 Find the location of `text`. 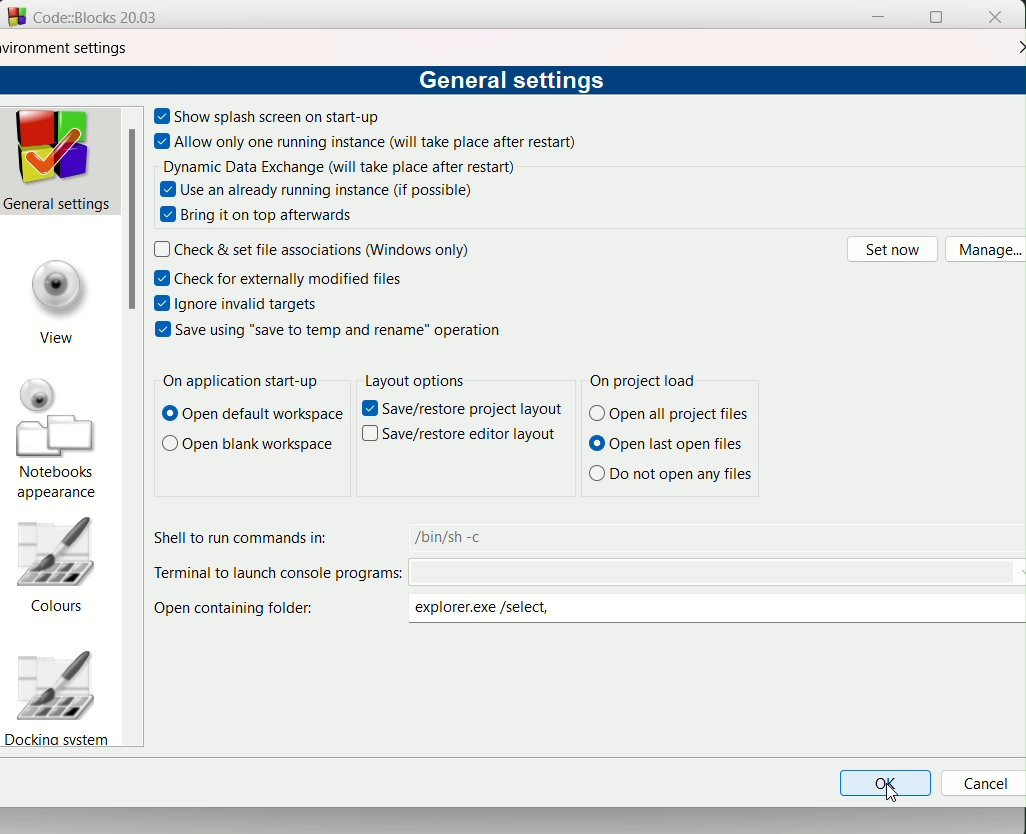

text is located at coordinates (161, 248).